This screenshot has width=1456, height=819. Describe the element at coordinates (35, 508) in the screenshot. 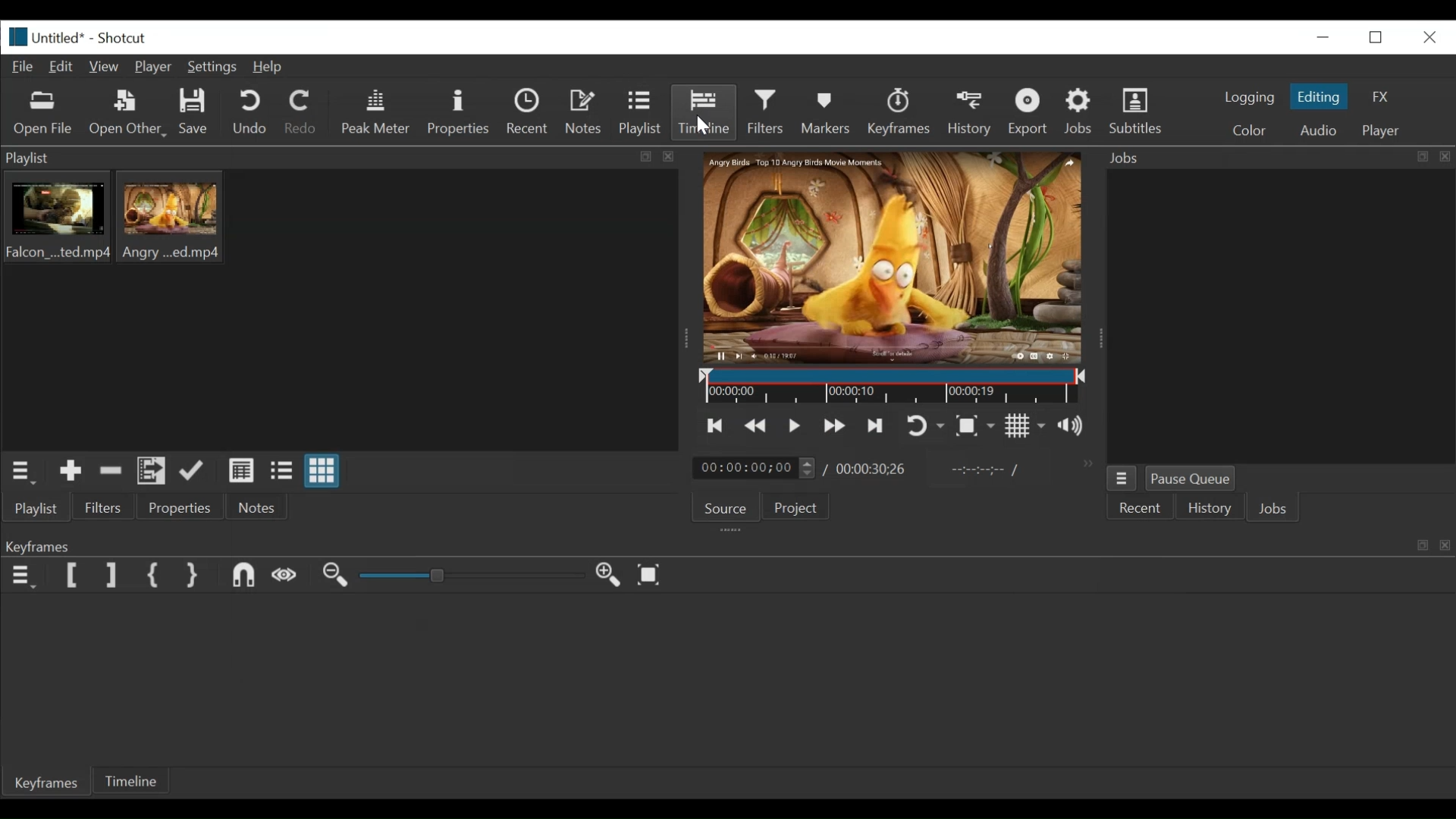

I see `playlist` at that location.